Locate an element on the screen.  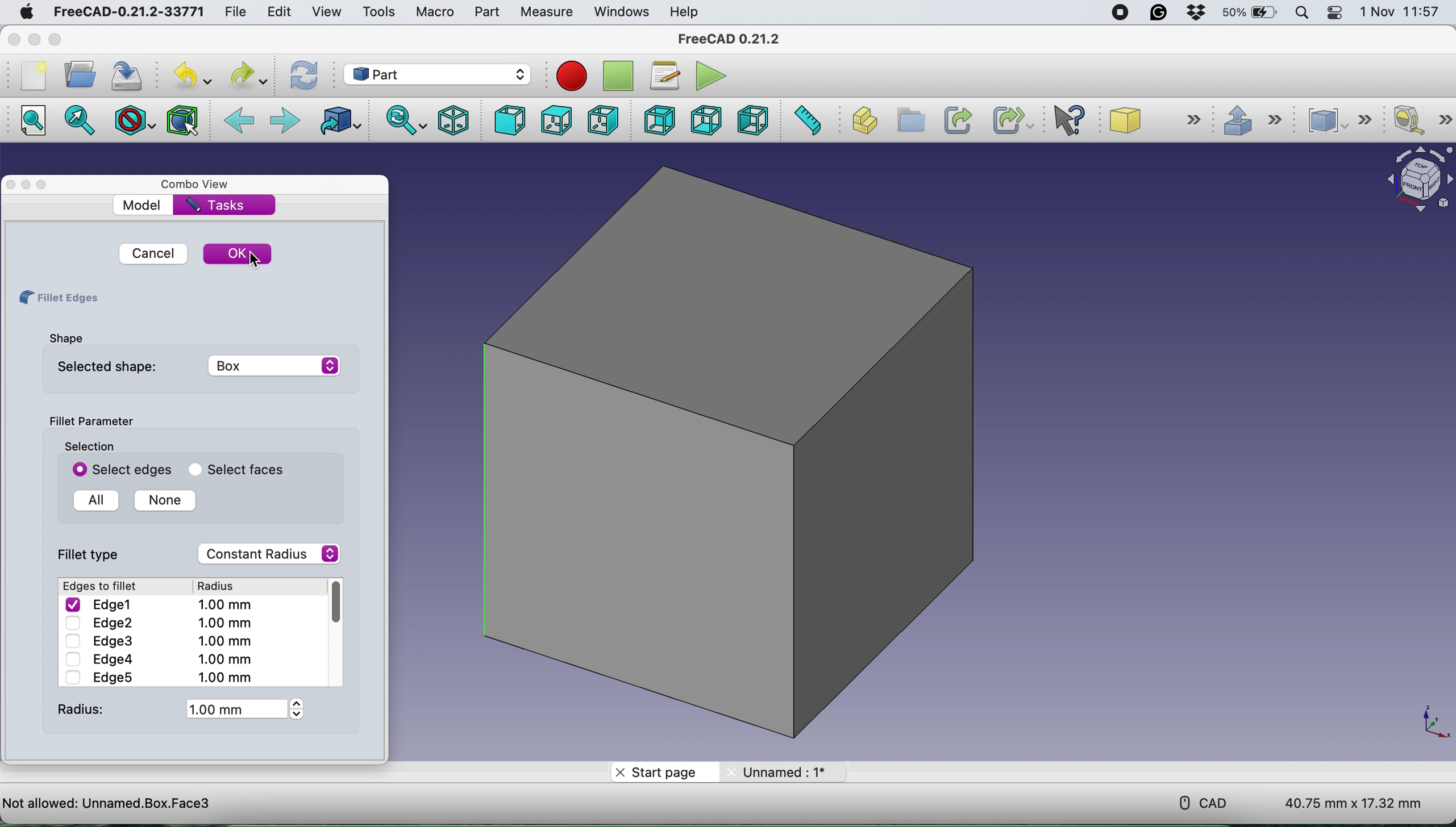
measure distance is located at coordinates (806, 120).